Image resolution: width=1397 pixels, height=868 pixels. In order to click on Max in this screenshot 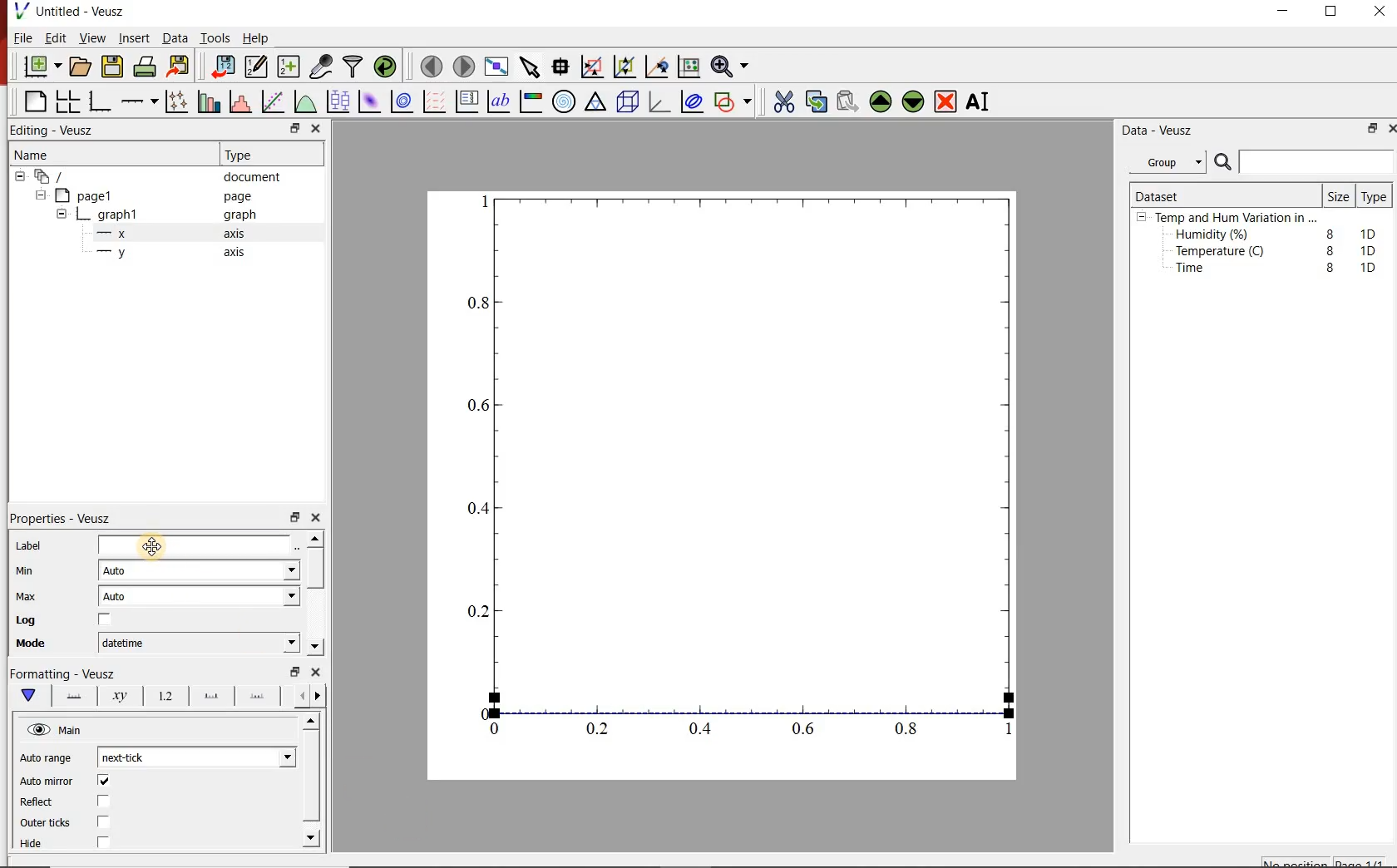, I will do `click(35, 596)`.